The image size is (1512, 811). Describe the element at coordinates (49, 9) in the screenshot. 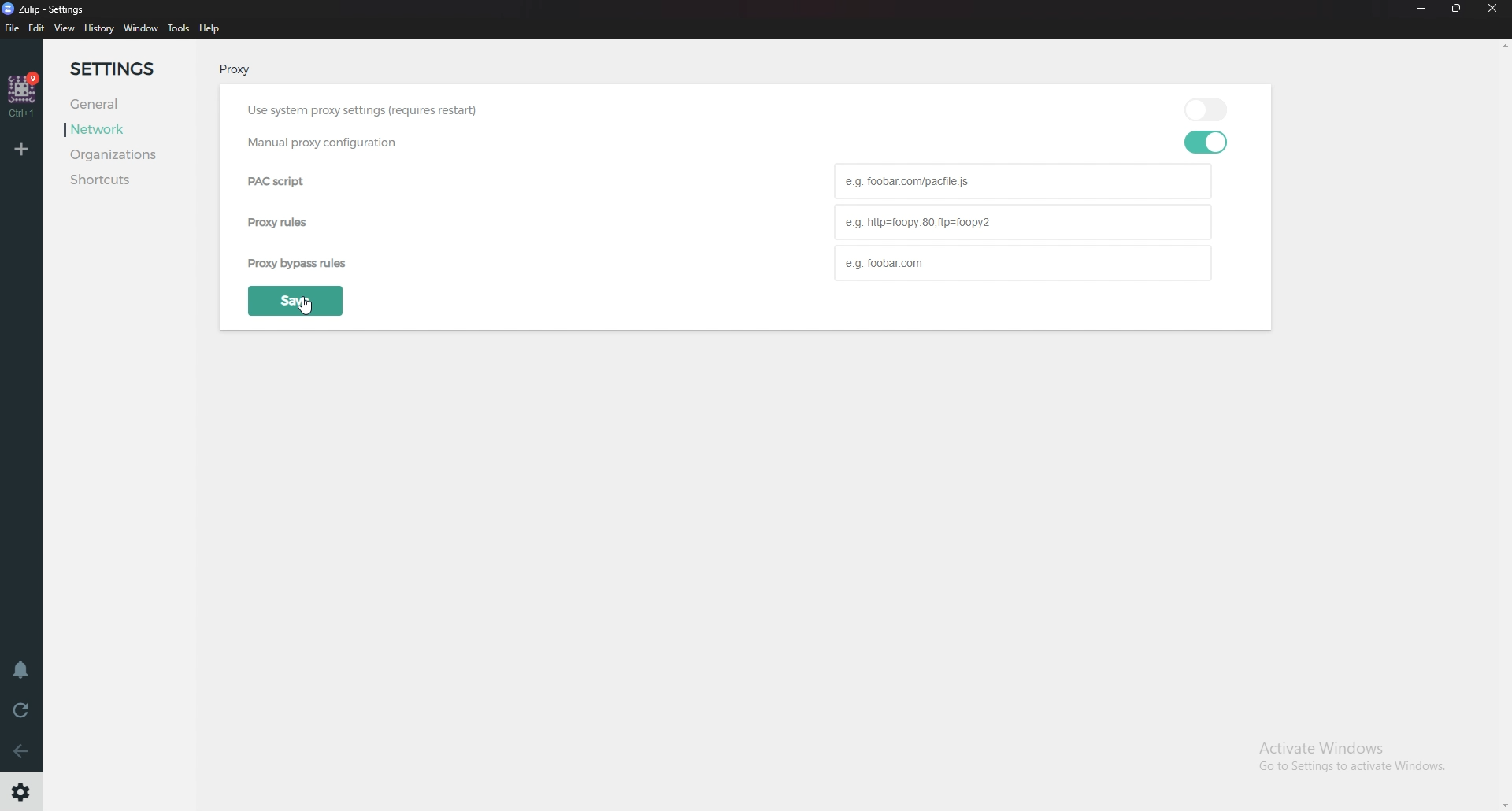

I see `zulip` at that location.